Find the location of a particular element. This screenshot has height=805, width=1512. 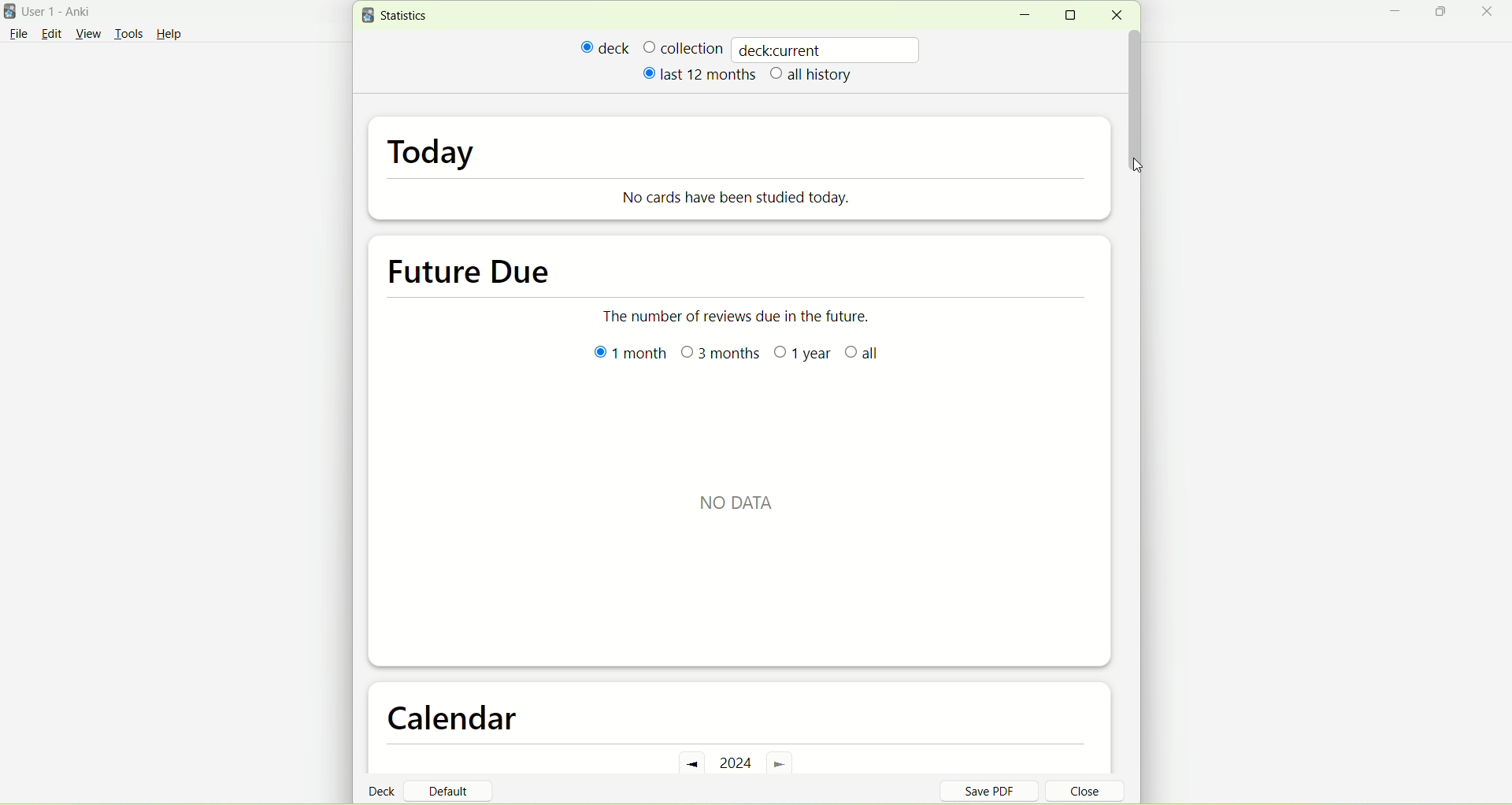

1 year is located at coordinates (802, 354).